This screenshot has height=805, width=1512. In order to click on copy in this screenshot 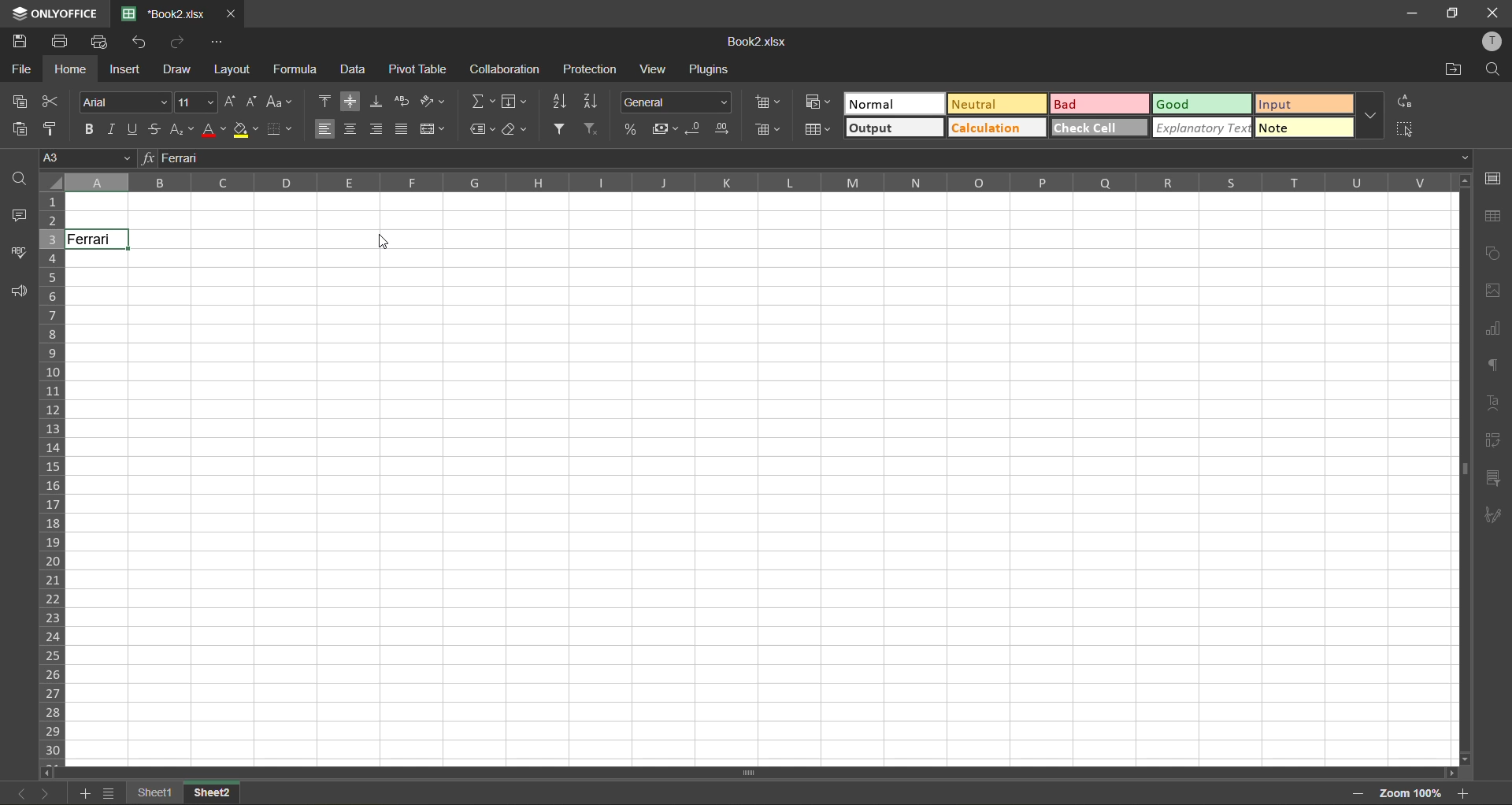, I will do `click(20, 102)`.